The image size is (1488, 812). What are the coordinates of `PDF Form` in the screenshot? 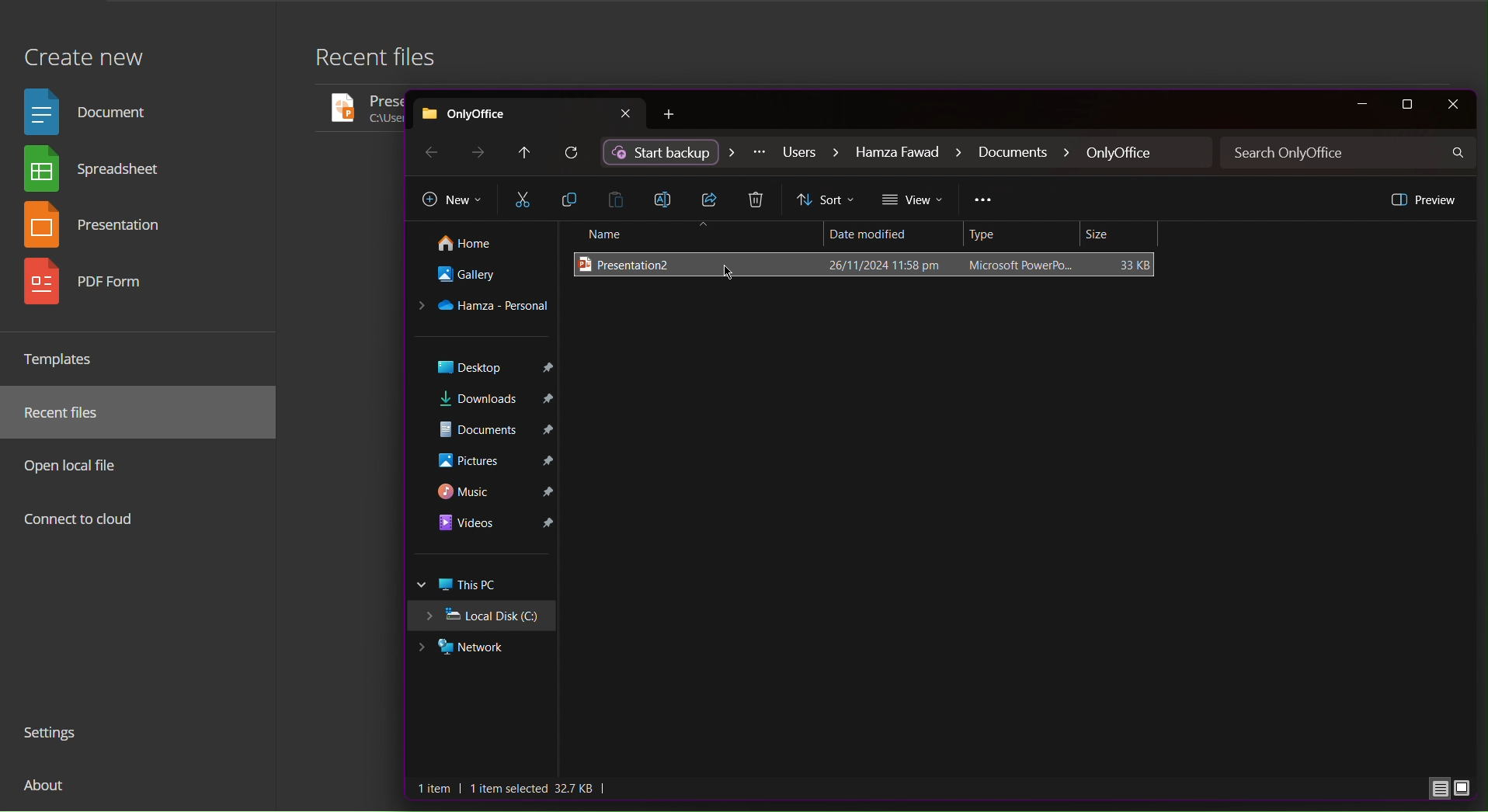 It's located at (99, 287).